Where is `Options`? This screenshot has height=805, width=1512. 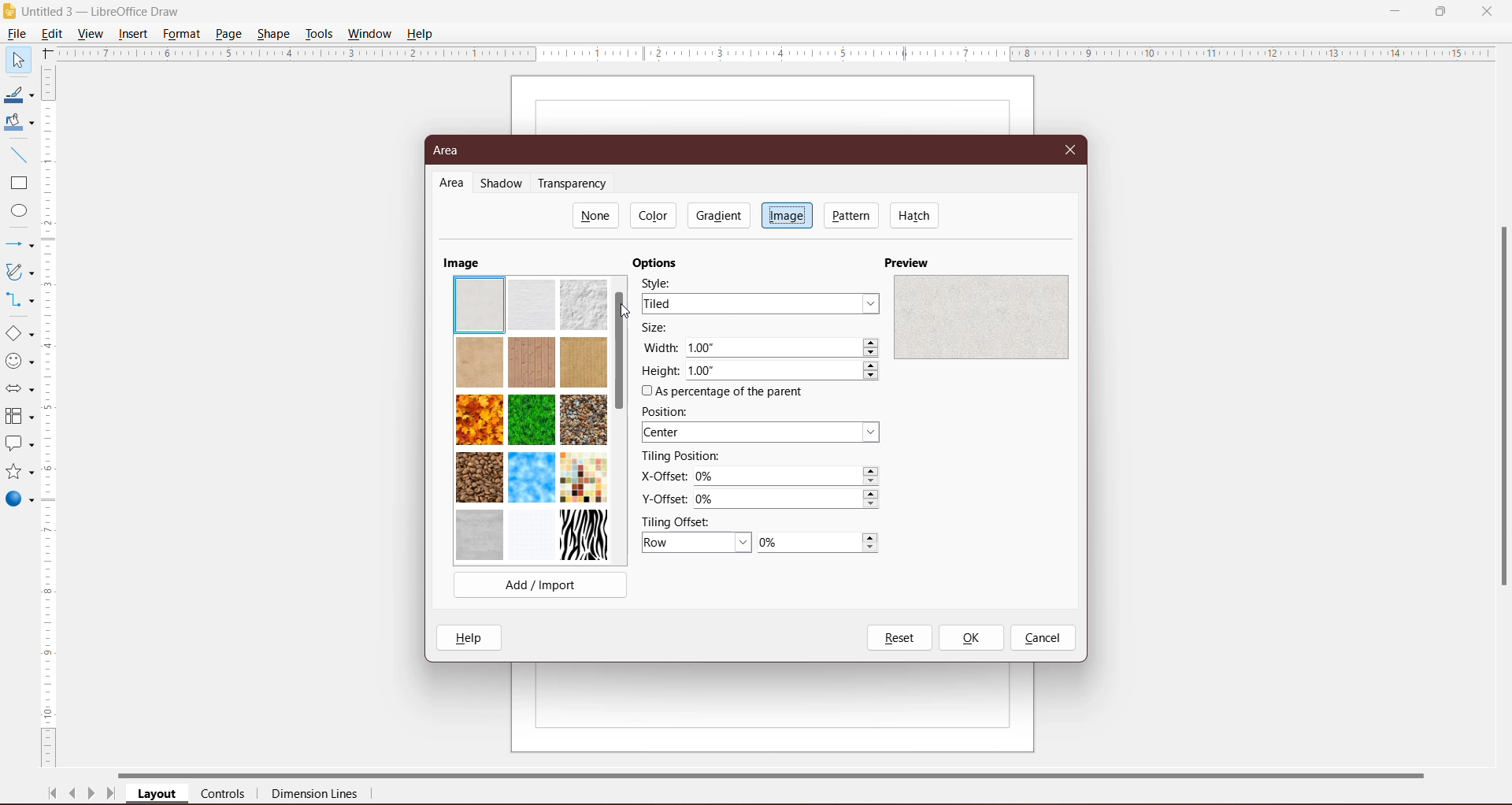
Options is located at coordinates (659, 263).